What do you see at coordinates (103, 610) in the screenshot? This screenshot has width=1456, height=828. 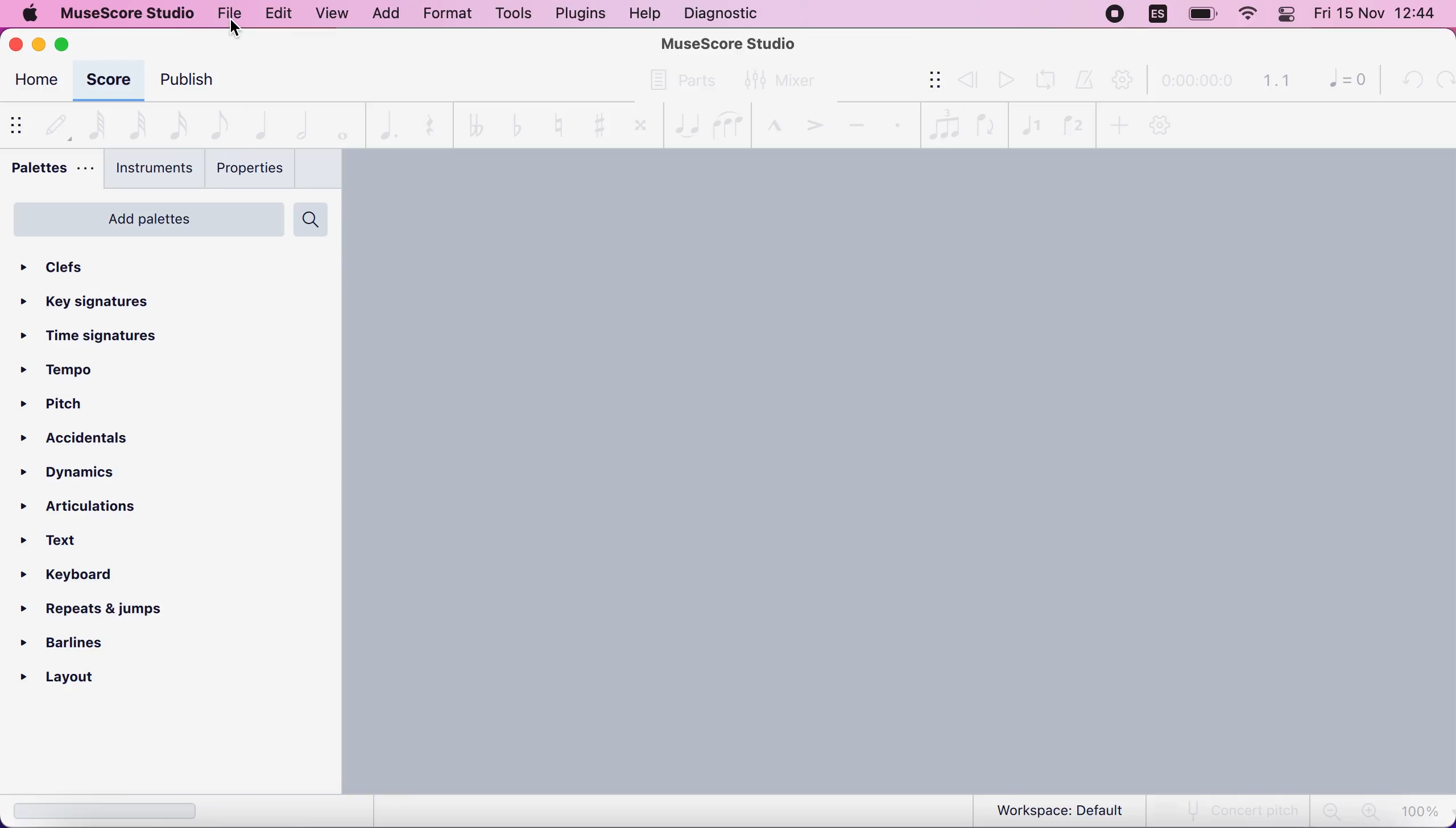 I see `repeats and jumps` at bounding box center [103, 610].